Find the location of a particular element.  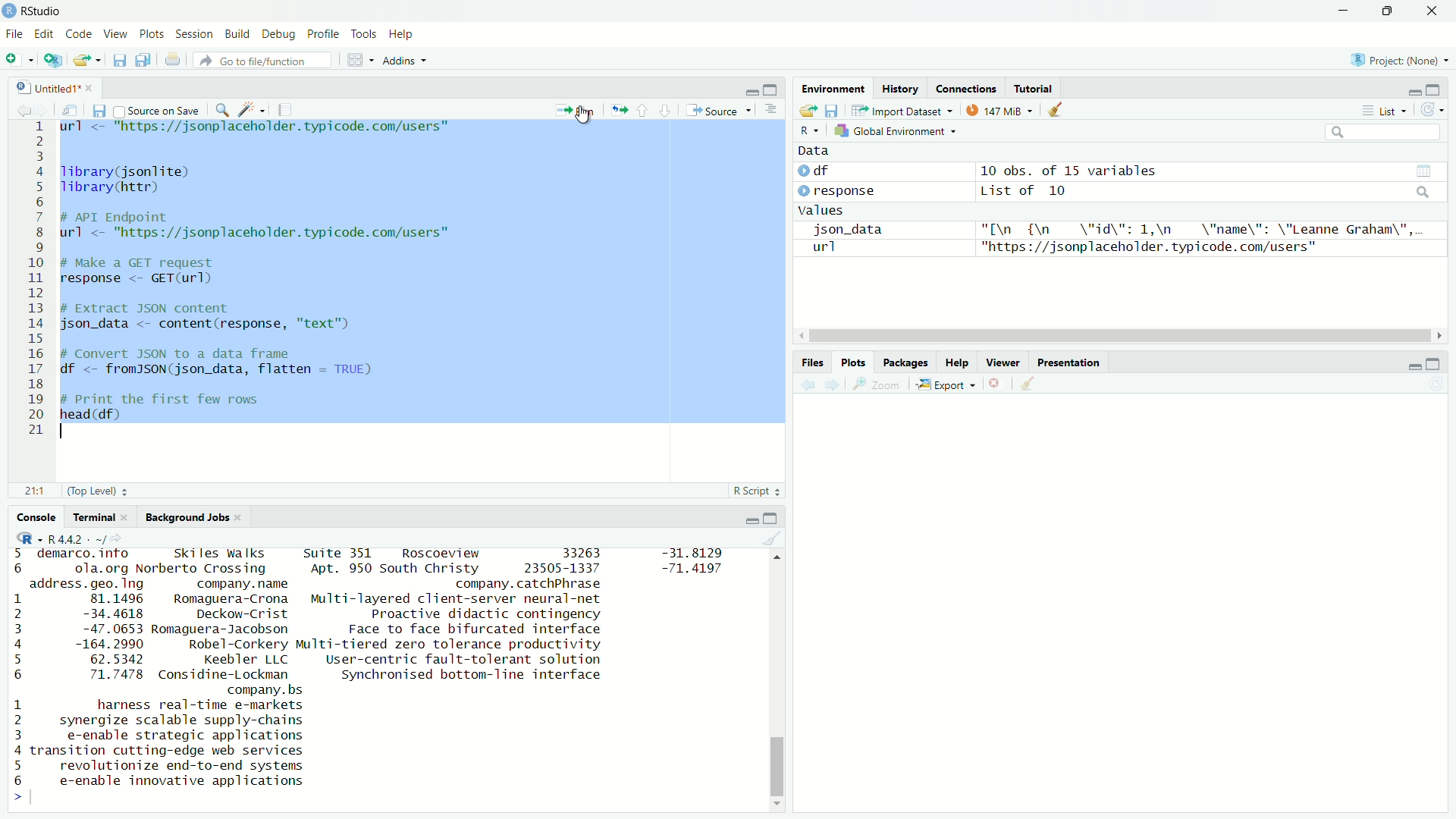

Save is located at coordinates (98, 112).